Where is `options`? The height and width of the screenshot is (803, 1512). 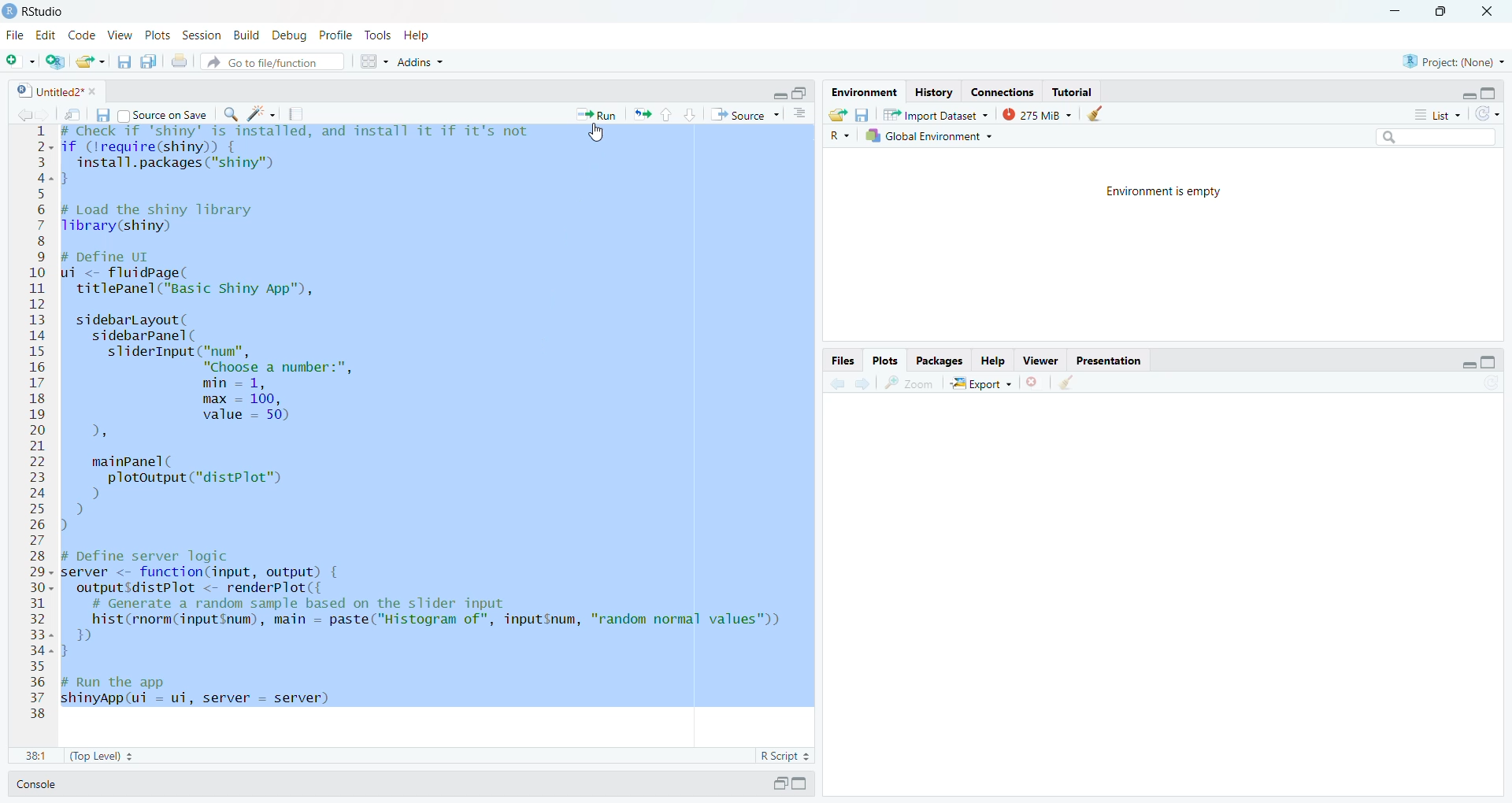
options is located at coordinates (374, 61).